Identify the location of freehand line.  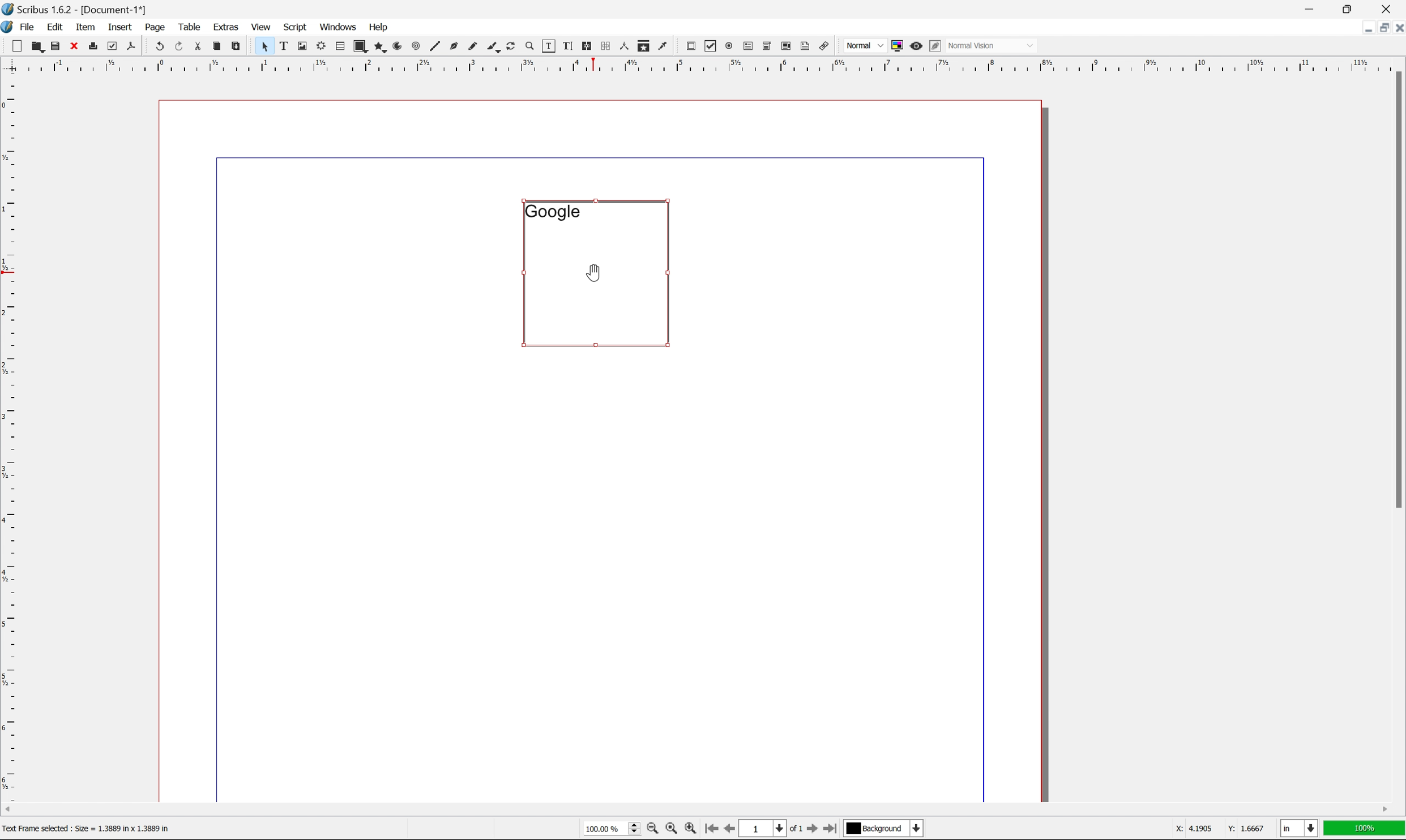
(474, 47).